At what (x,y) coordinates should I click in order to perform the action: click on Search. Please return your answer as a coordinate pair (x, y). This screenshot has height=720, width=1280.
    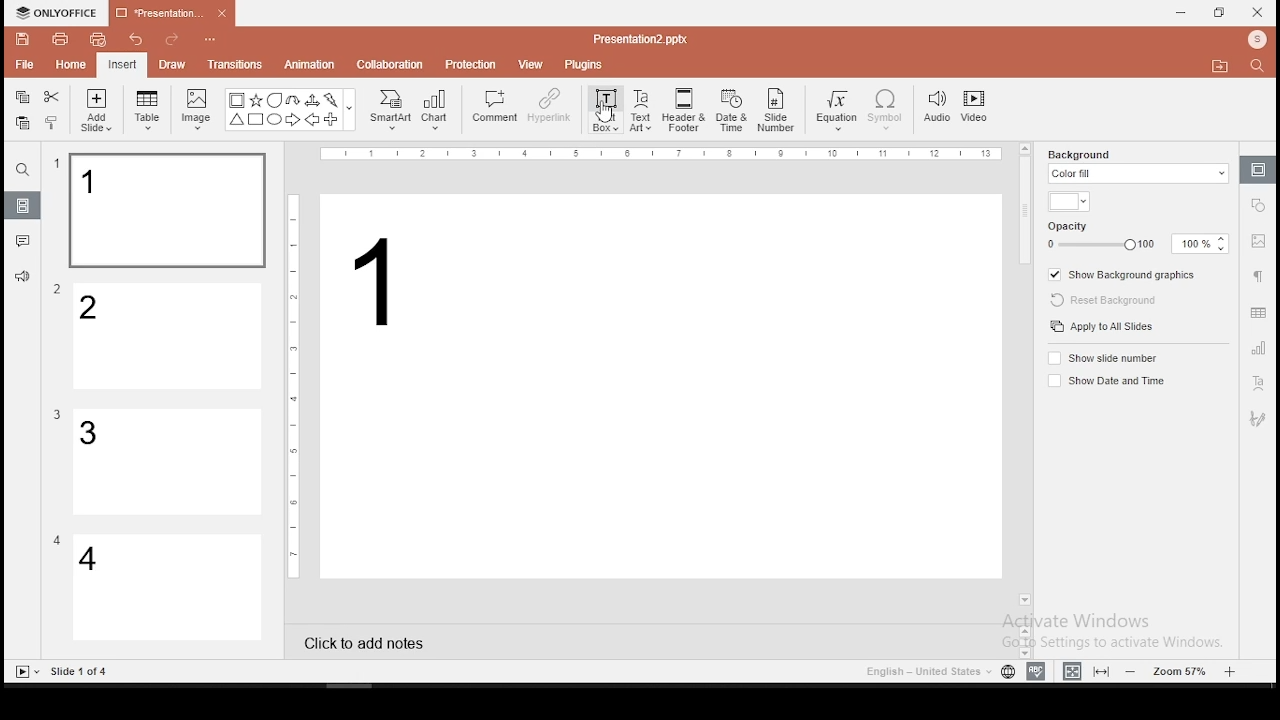
    Looking at the image, I should click on (1263, 67).